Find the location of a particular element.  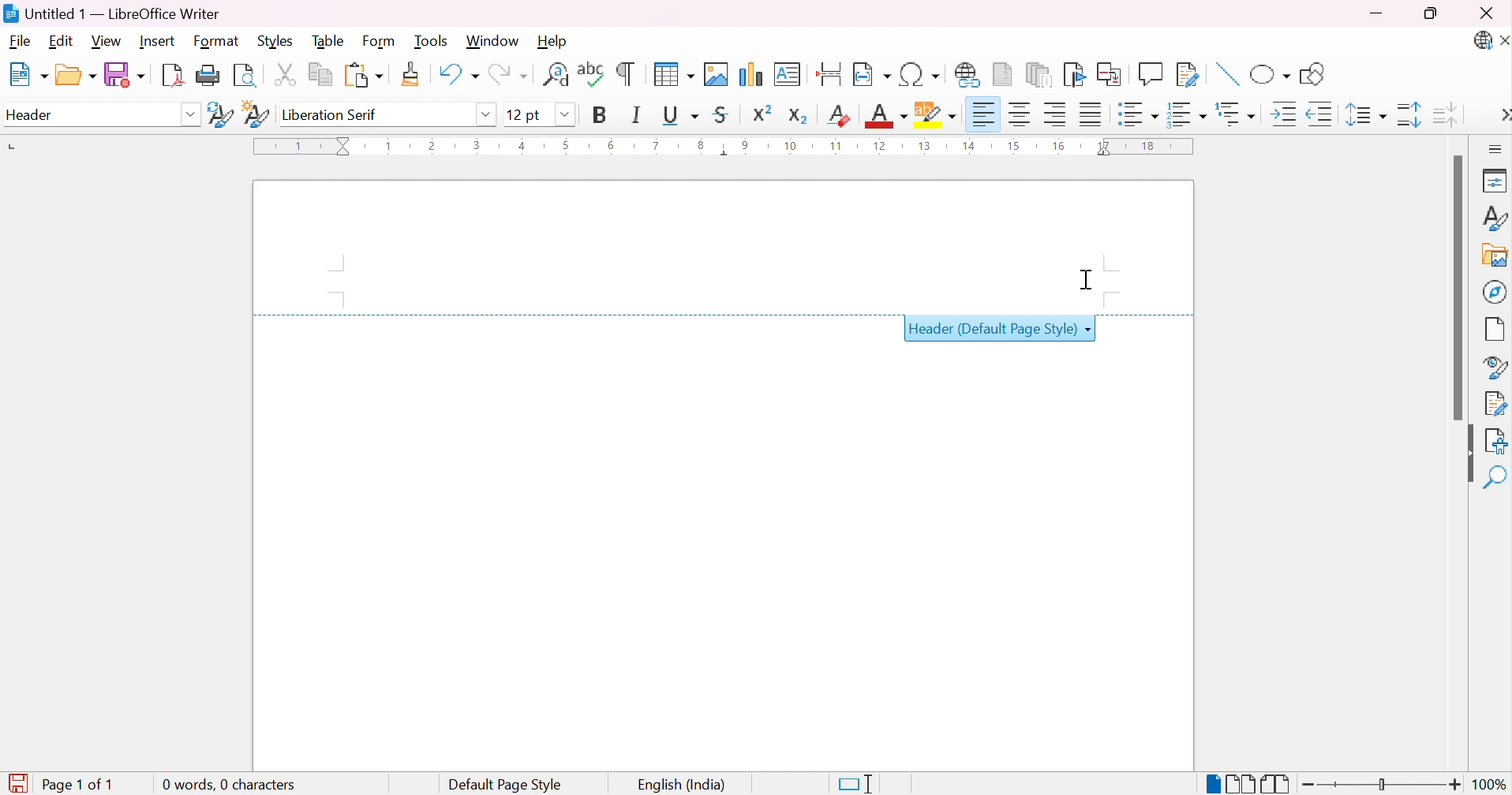

0 words, 0 characters is located at coordinates (229, 784).